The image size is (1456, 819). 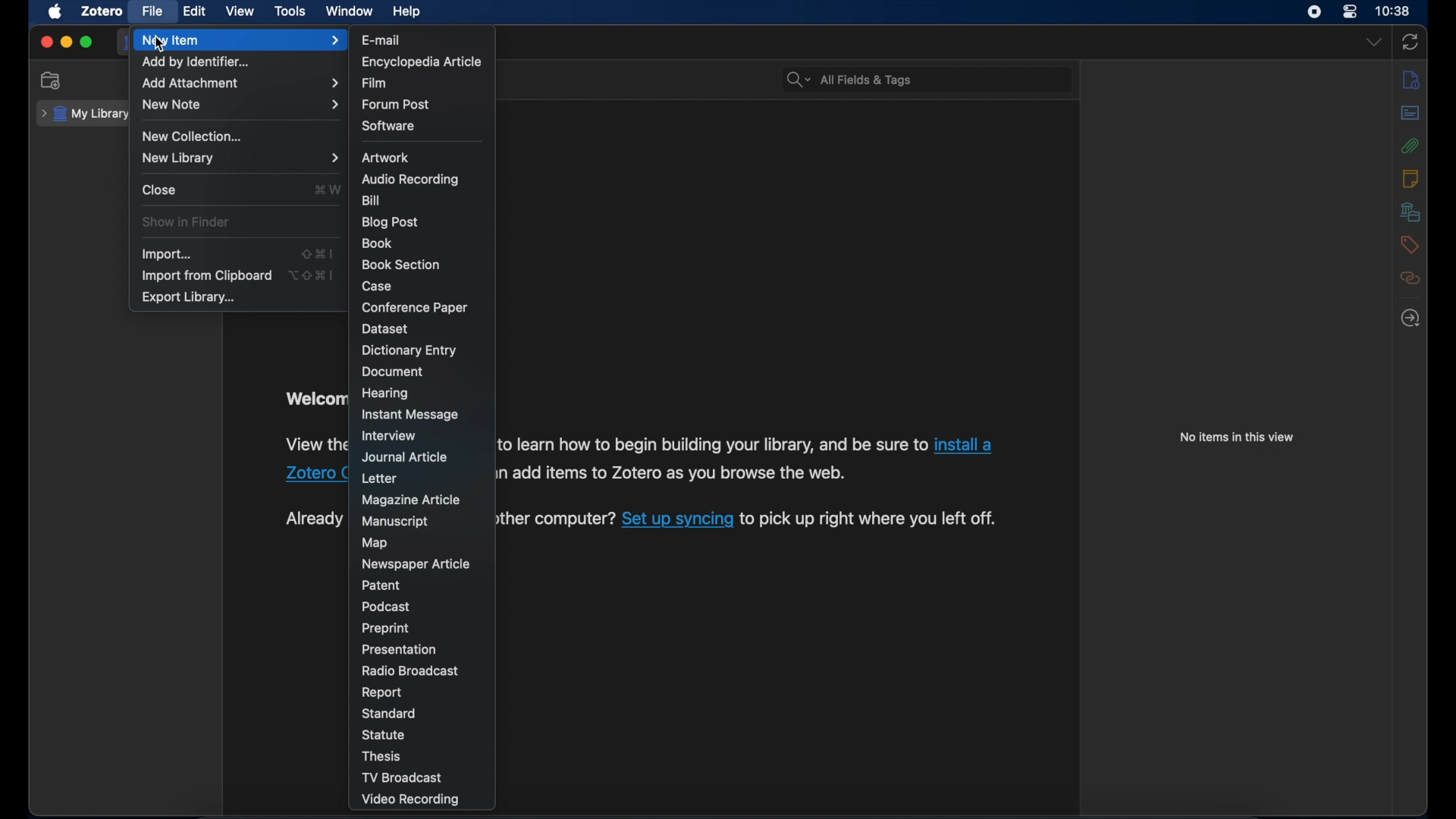 What do you see at coordinates (422, 62) in the screenshot?
I see `encyclopedia article` at bounding box center [422, 62].